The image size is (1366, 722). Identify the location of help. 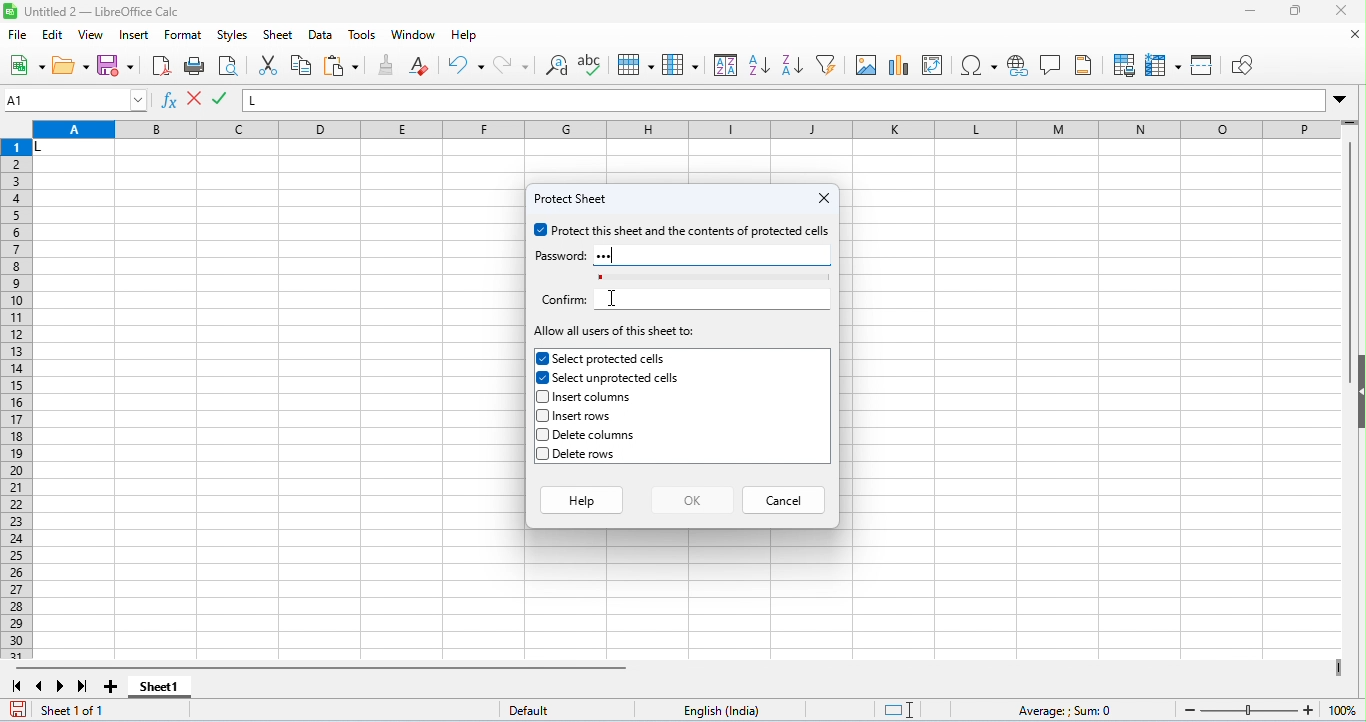
(580, 498).